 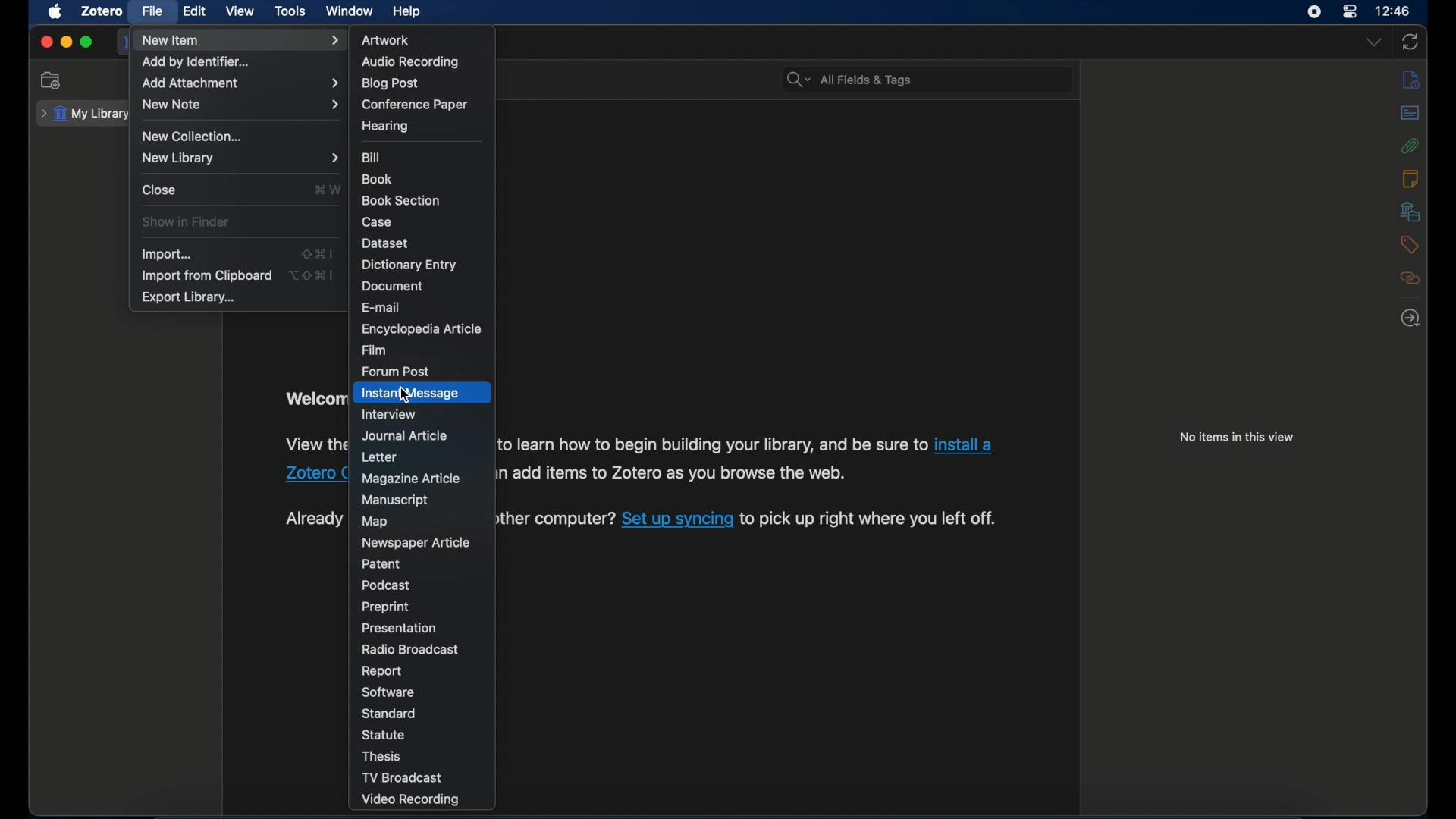 What do you see at coordinates (403, 778) in the screenshot?
I see `tv broadcast` at bounding box center [403, 778].